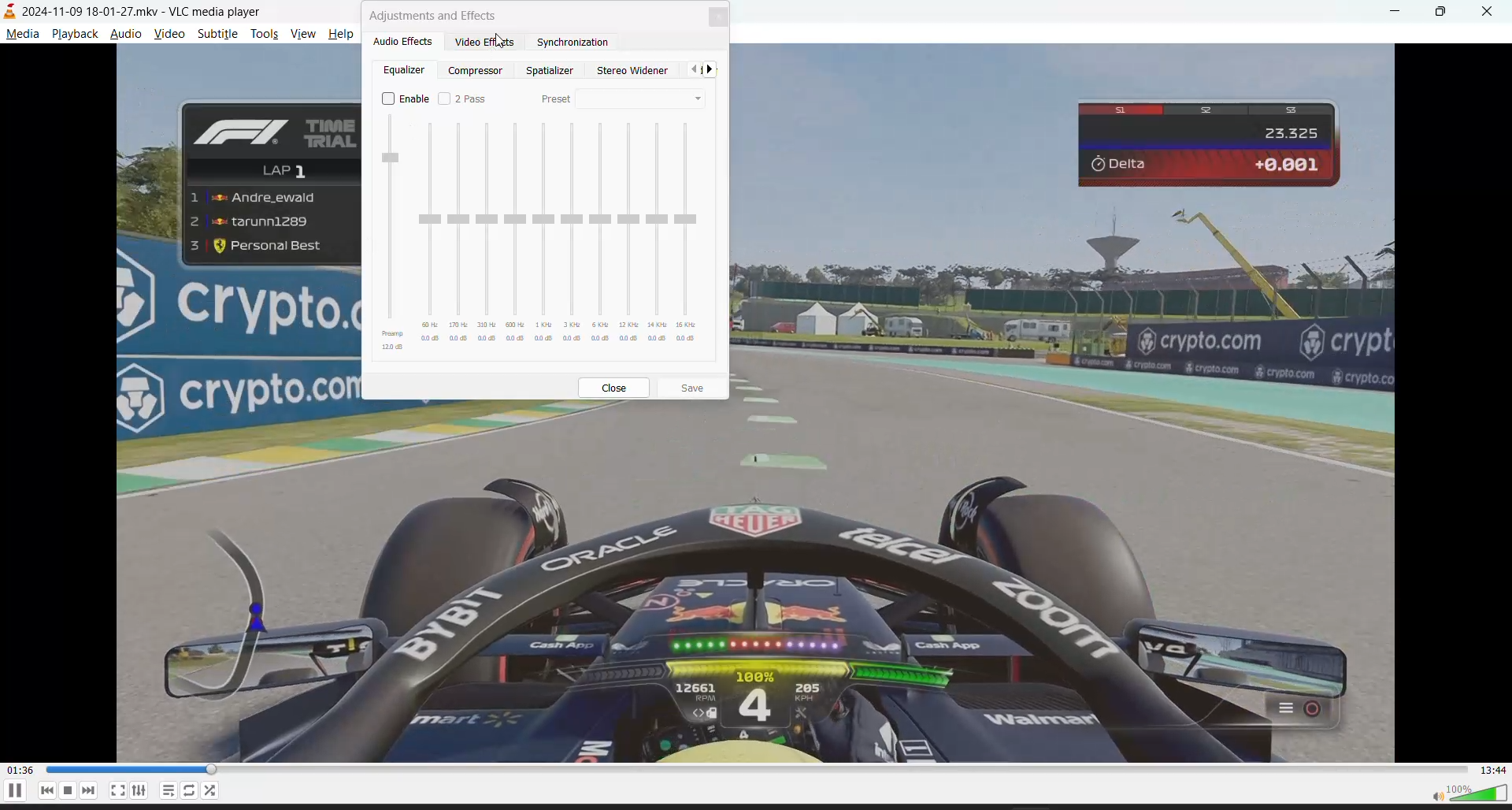 This screenshot has height=810, width=1512. I want to click on loop, so click(187, 790).